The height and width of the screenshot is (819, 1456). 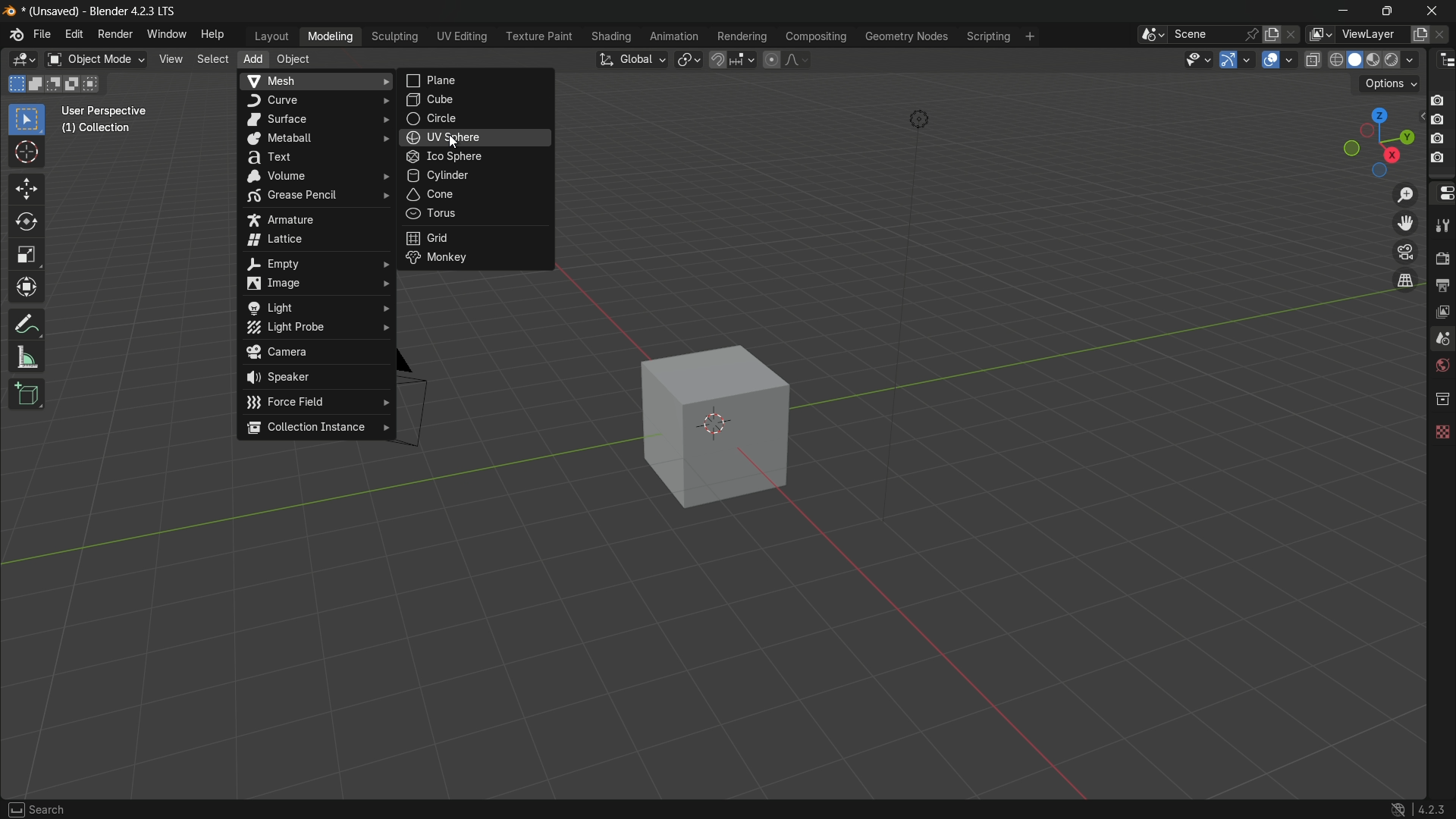 What do you see at coordinates (1375, 140) in the screenshot?
I see `rotate and preset viewpoint` at bounding box center [1375, 140].